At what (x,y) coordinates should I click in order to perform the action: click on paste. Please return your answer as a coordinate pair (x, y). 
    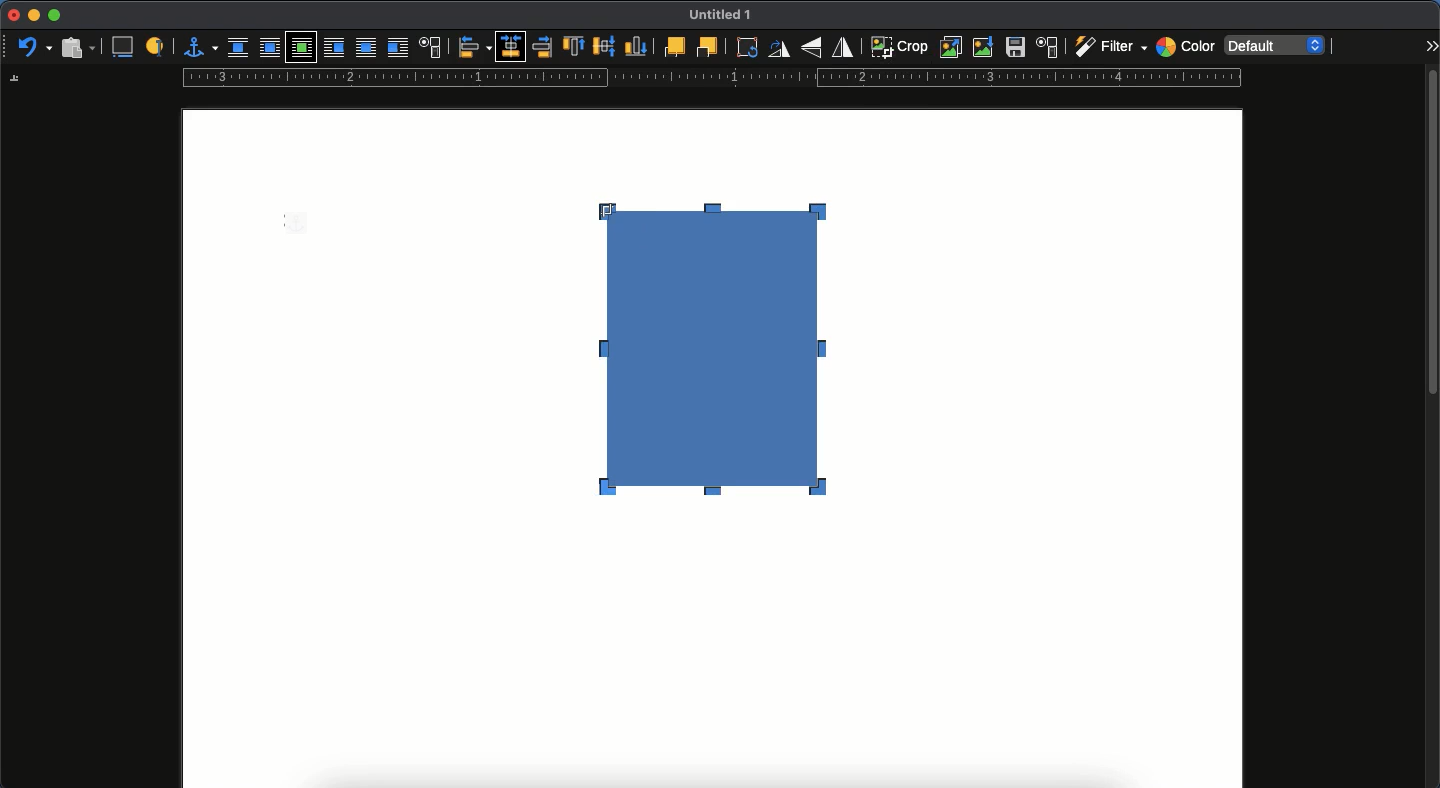
    Looking at the image, I should click on (77, 46).